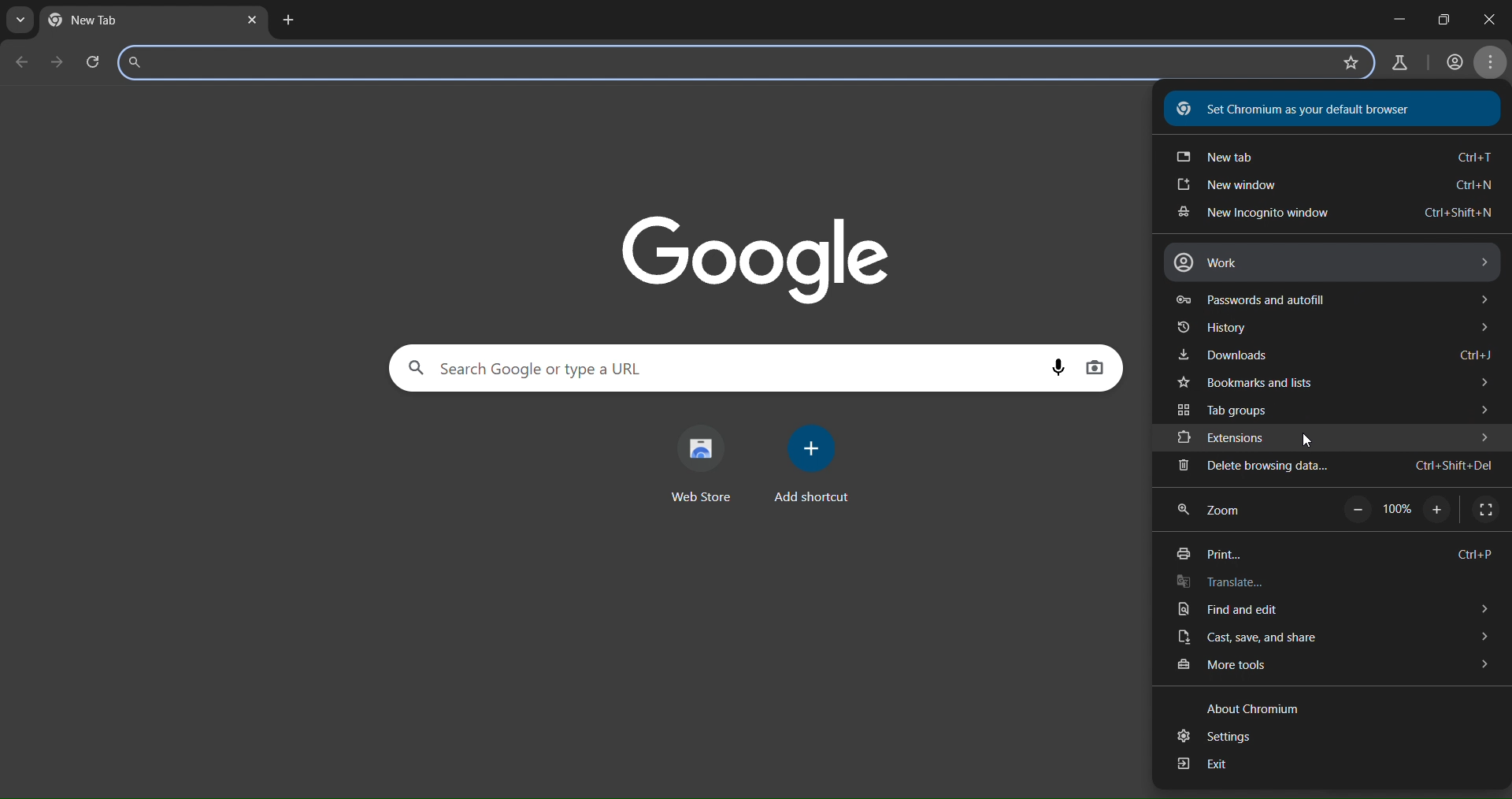 This screenshot has width=1512, height=799. What do you see at coordinates (1487, 61) in the screenshot?
I see `menu` at bounding box center [1487, 61].